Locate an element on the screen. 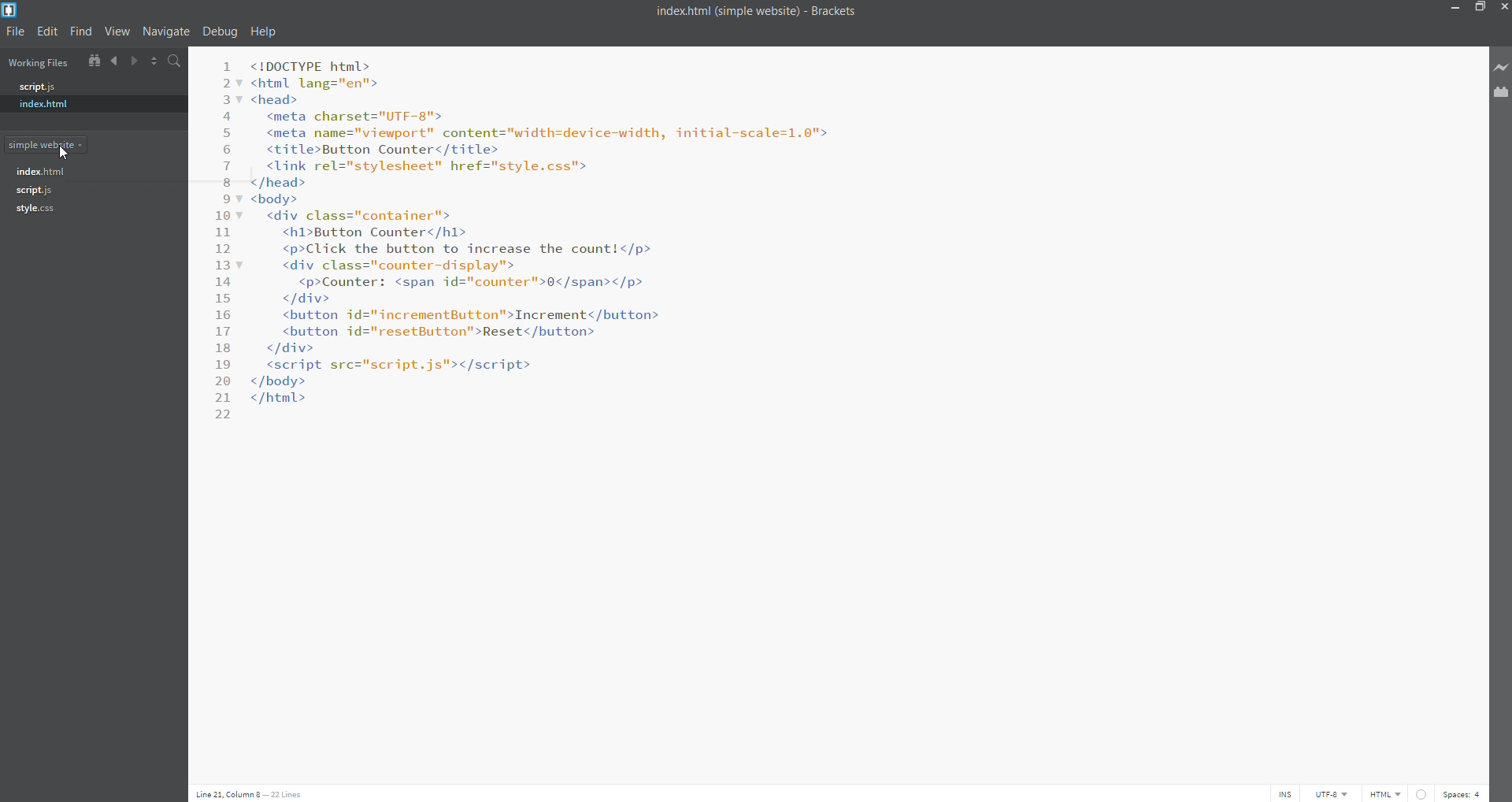 This screenshot has height=802, width=1512. line number is located at coordinates (217, 272).